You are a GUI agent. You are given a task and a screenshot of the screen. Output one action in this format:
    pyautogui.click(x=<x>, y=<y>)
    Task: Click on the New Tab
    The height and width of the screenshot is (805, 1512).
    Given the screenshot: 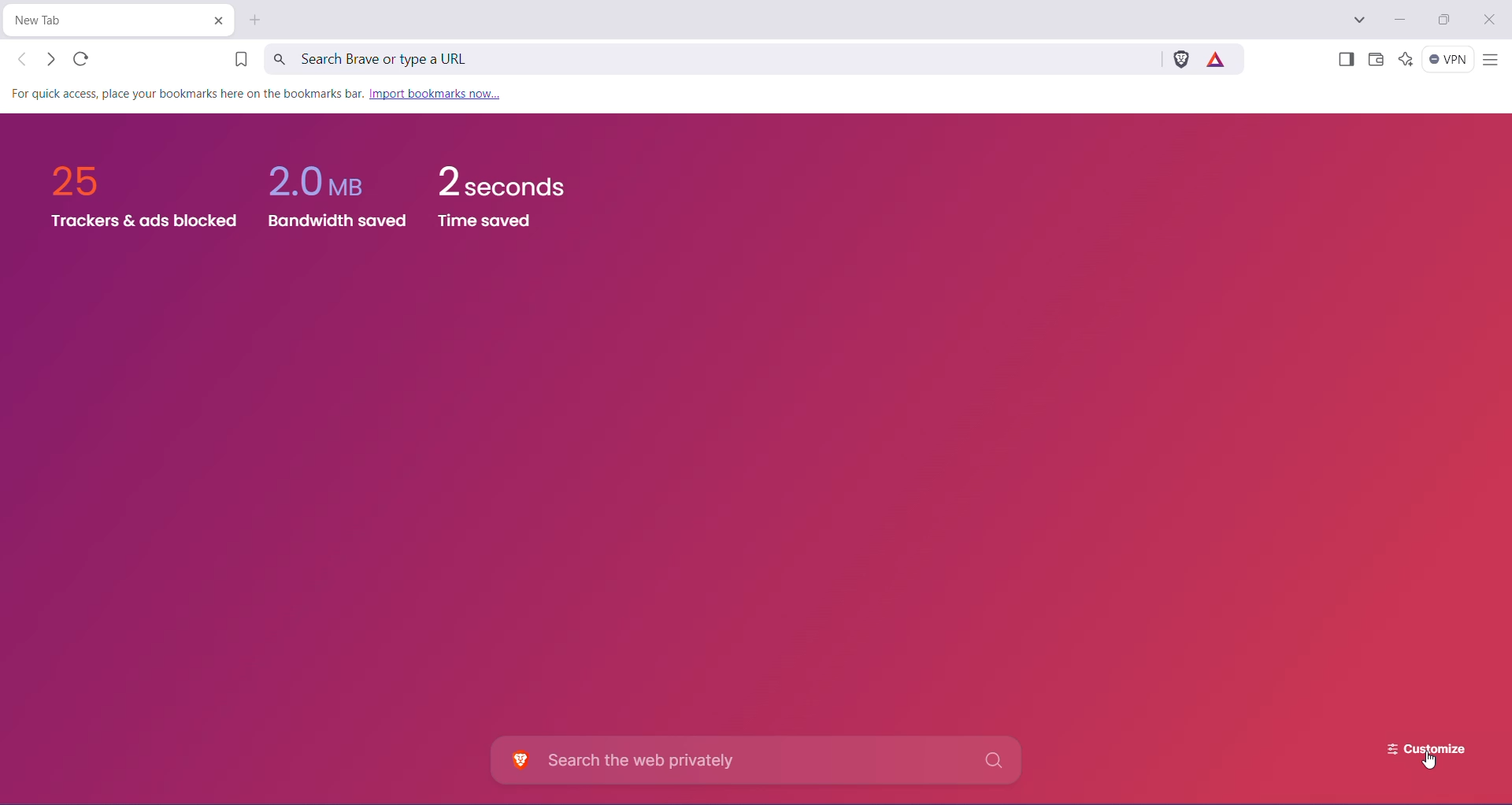 What is the action you would take?
    pyautogui.click(x=106, y=20)
    